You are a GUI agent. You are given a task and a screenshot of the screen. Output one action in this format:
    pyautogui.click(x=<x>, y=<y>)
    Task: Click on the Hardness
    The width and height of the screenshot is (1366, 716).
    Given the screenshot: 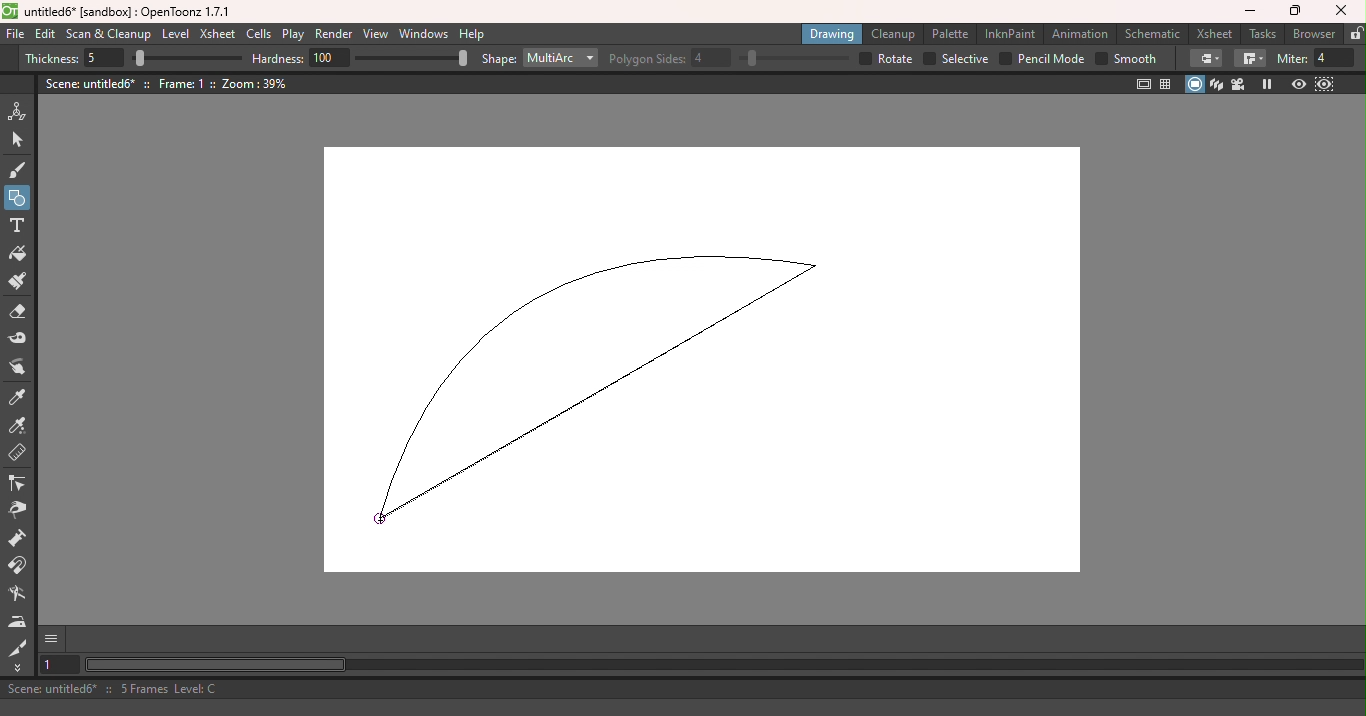 What is the action you would take?
    pyautogui.click(x=302, y=58)
    